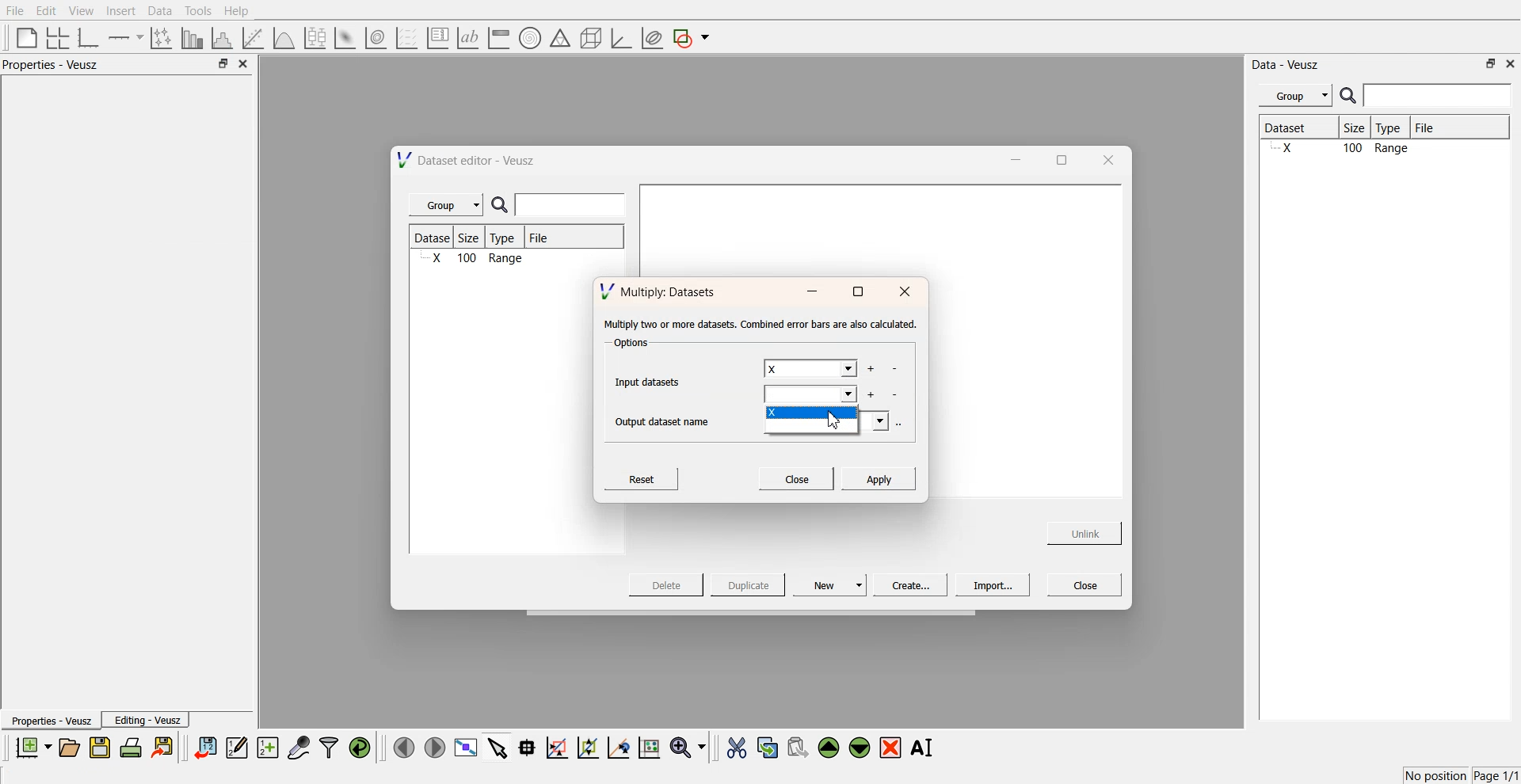  Describe the element at coordinates (896, 395) in the screenshot. I see `delete datasets` at that location.